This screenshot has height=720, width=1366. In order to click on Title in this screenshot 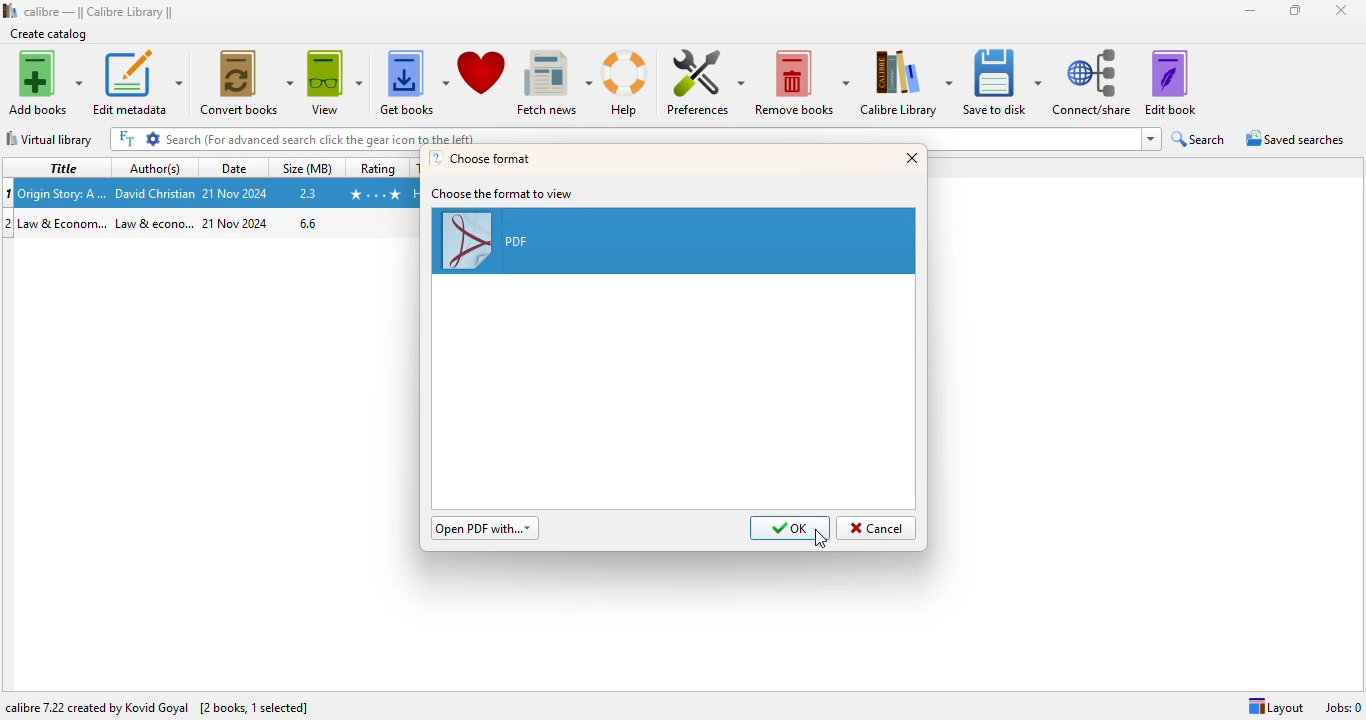, I will do `click(64, 224)`.